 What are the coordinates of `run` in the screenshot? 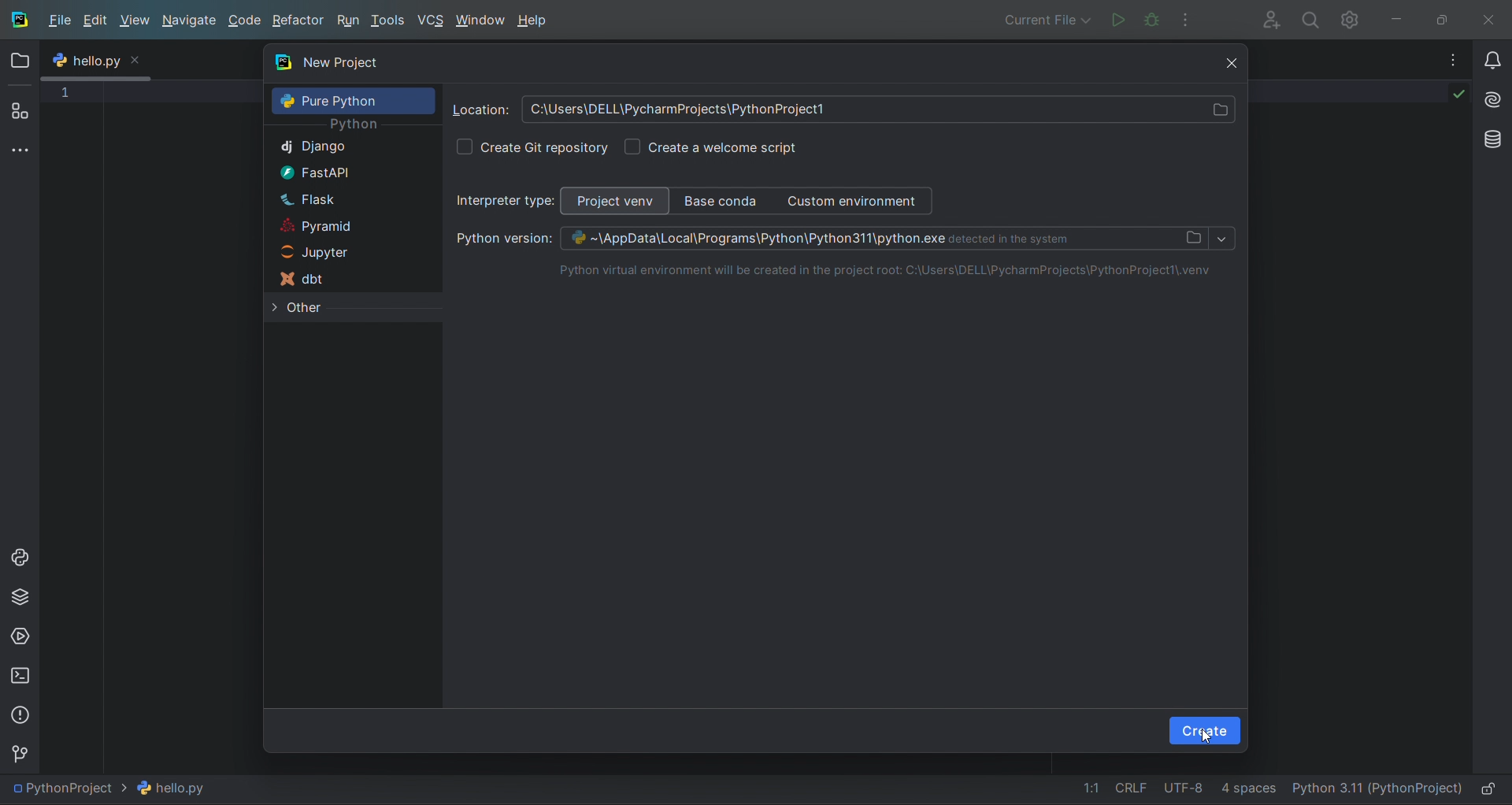 It's located at (349, 21).